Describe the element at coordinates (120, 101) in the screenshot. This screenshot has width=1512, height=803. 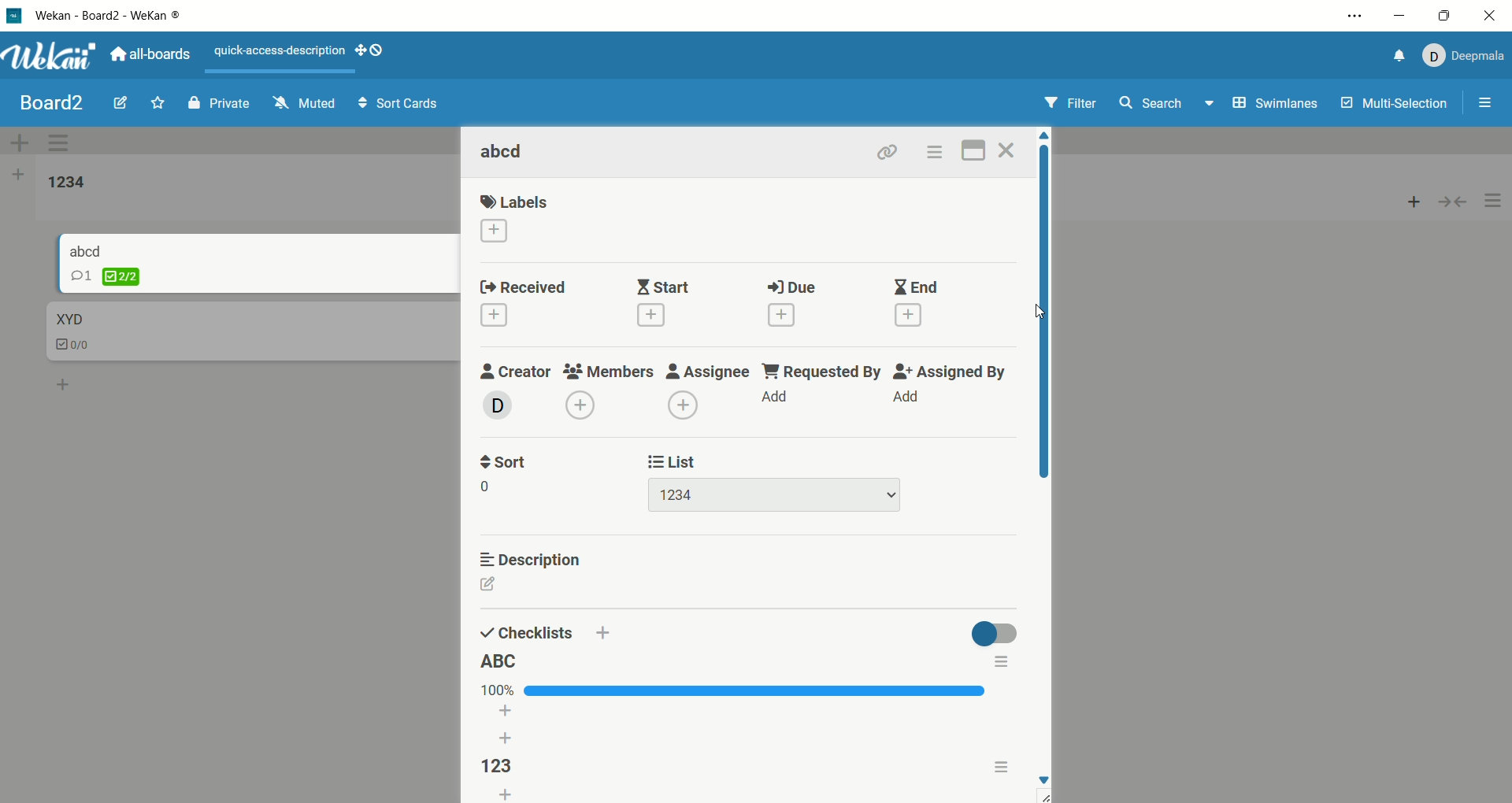
I see `edit` at that location.